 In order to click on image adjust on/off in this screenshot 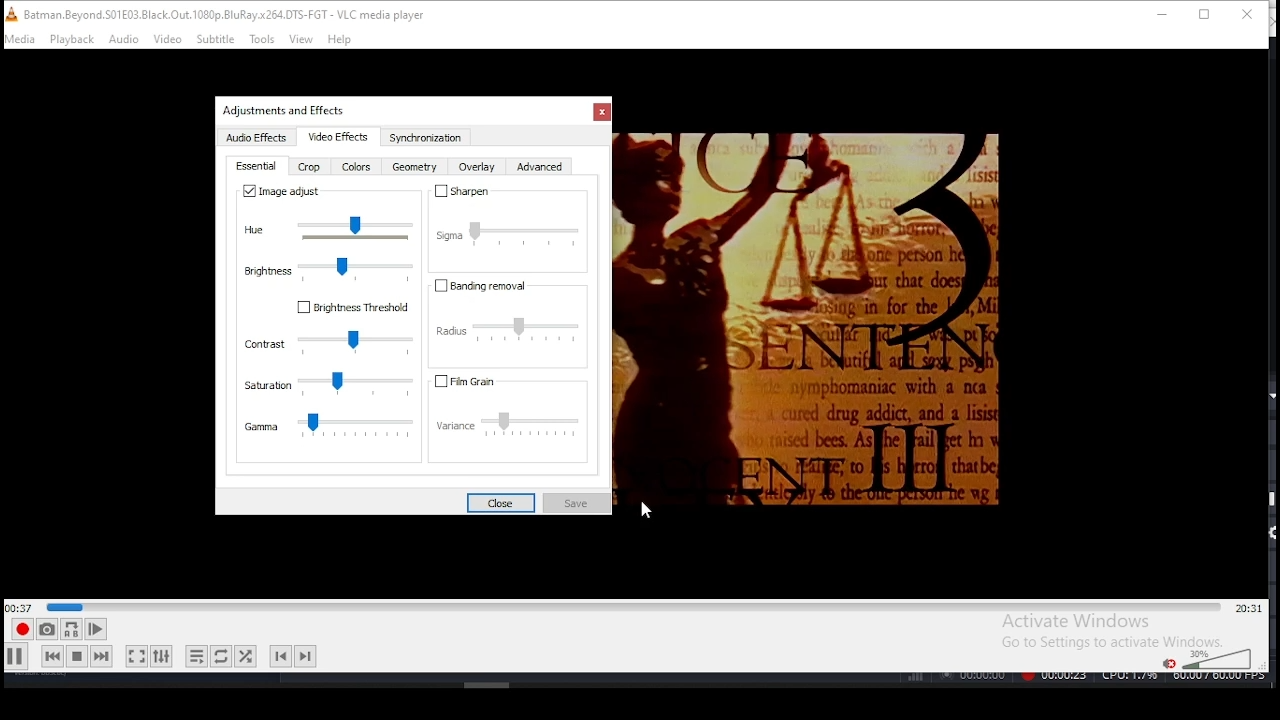, I will do `click(284, 192)`.